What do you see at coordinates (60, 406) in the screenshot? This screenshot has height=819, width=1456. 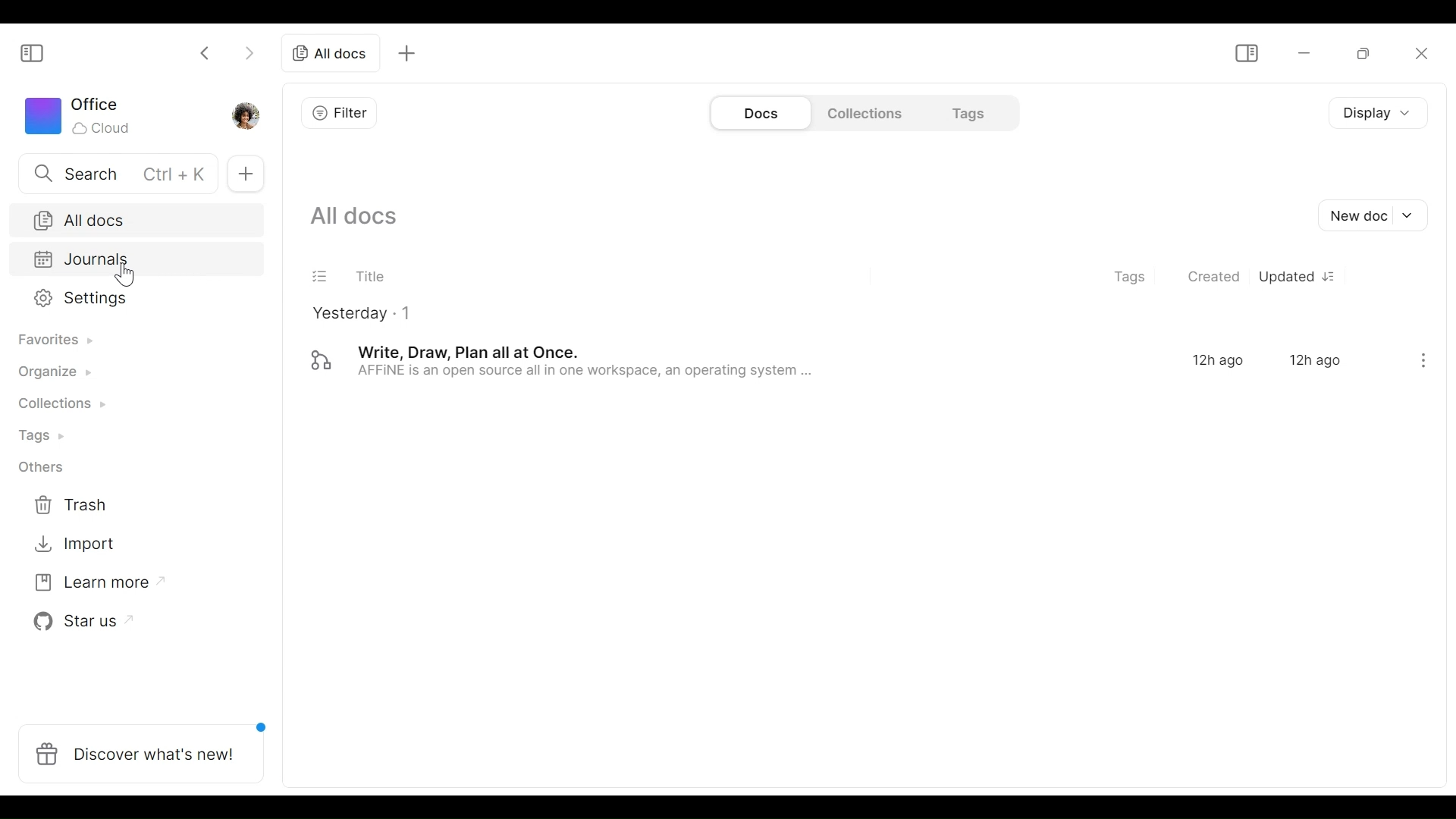 I see `Collections` at bounding box center [60, 406].